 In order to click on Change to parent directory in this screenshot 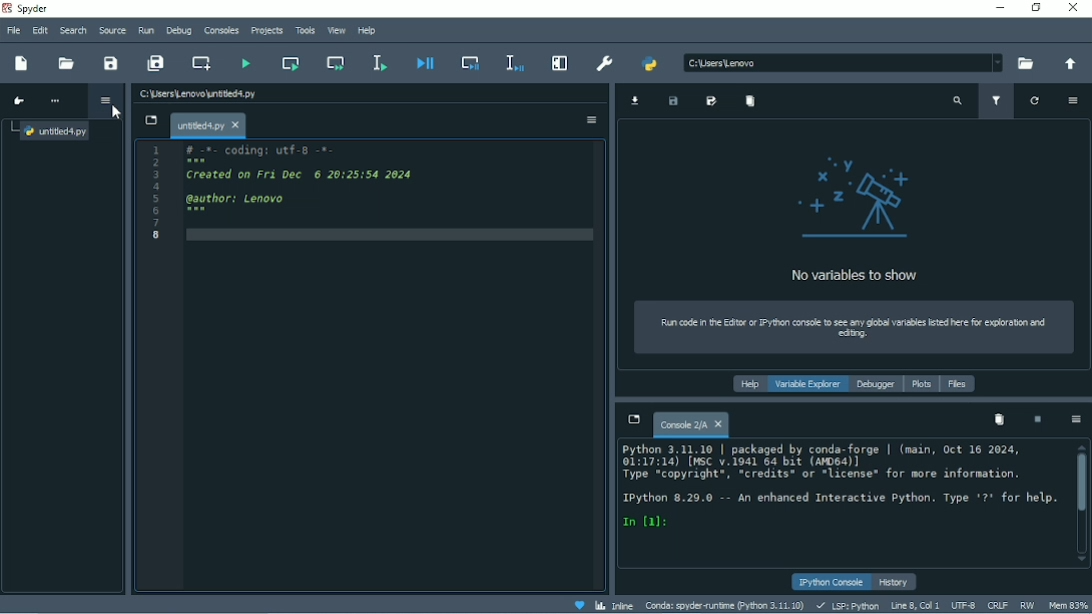, I will do `click(1069, 64)`.